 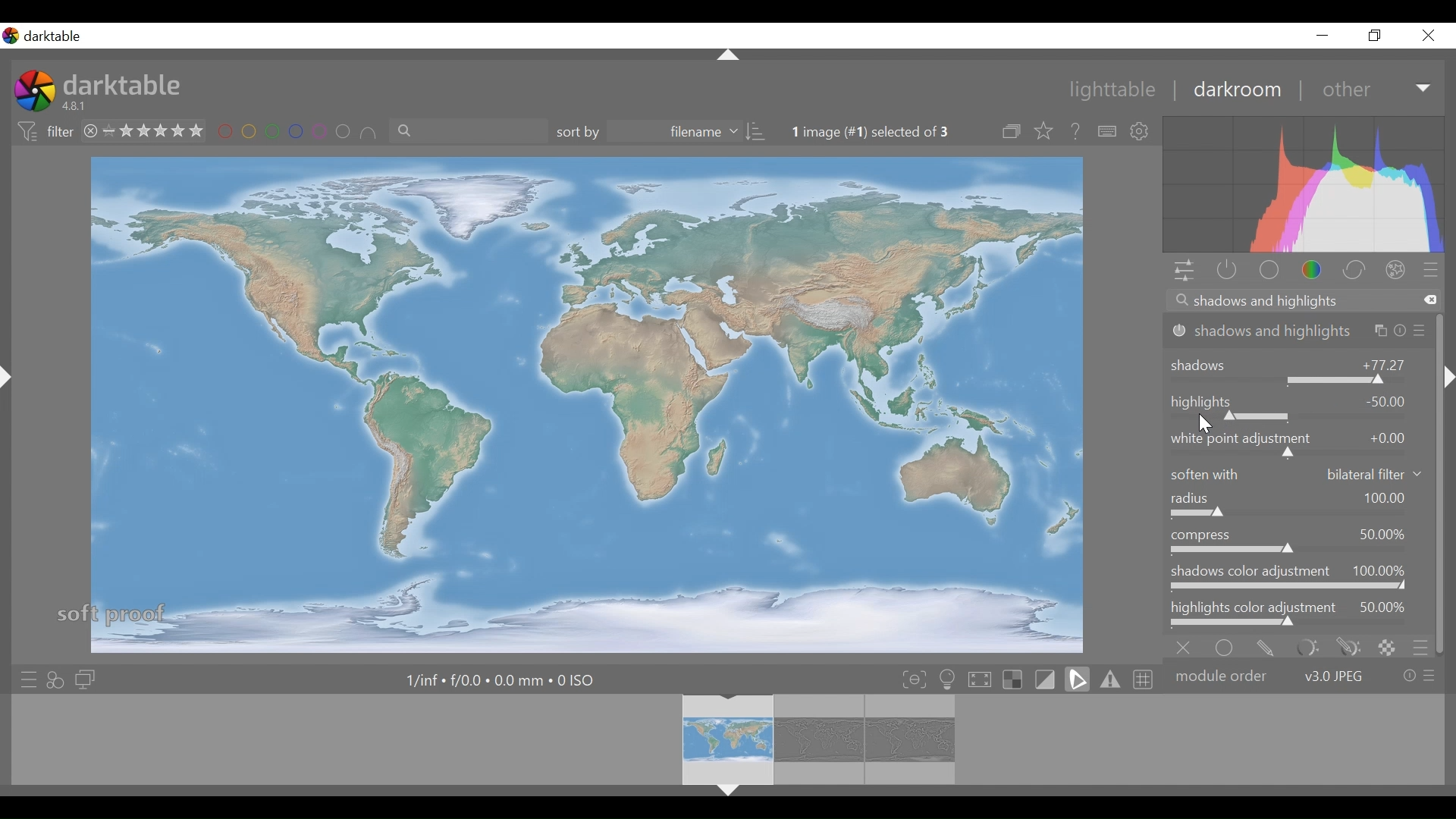 What do you see at coordinates (914, 679) in the screenshot?
I see `toggle focus-peaking mode` at bounding box center [914, 679].